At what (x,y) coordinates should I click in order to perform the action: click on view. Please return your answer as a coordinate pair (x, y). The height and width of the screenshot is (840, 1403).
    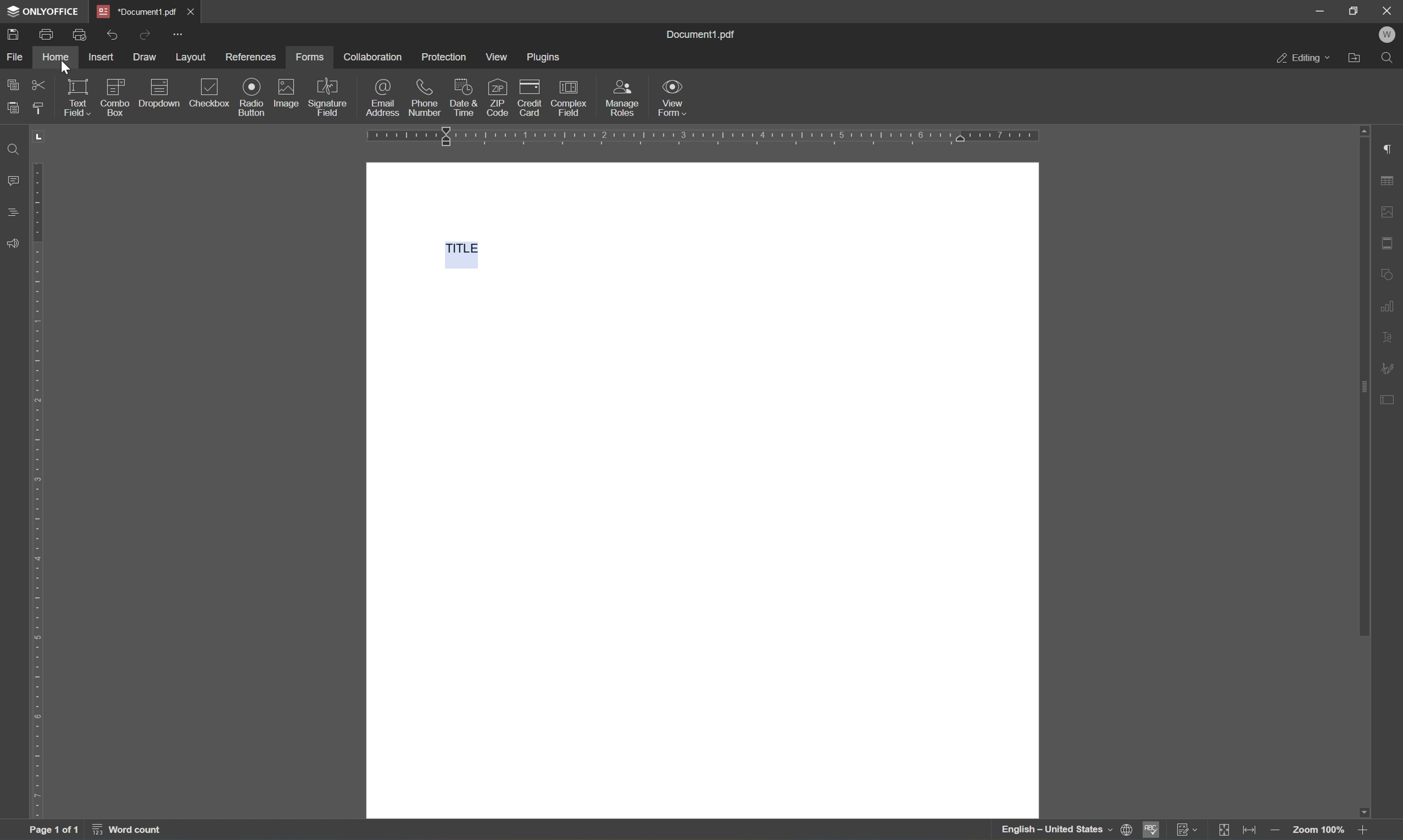
    Looking at the image, I should click on (495, 57).